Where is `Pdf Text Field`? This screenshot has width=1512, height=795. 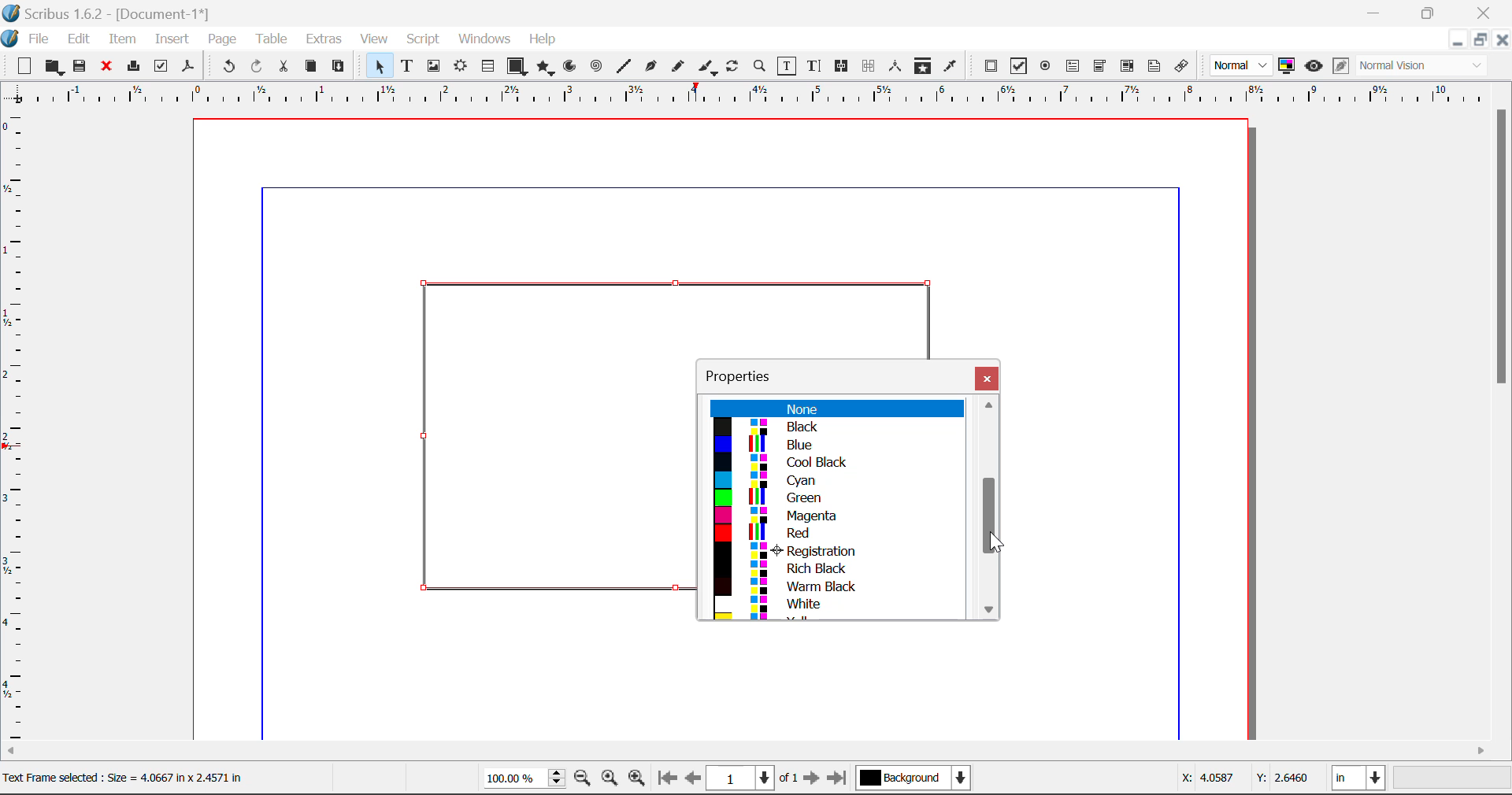
Pdf Text Field is located at coordinates (1073, 65).